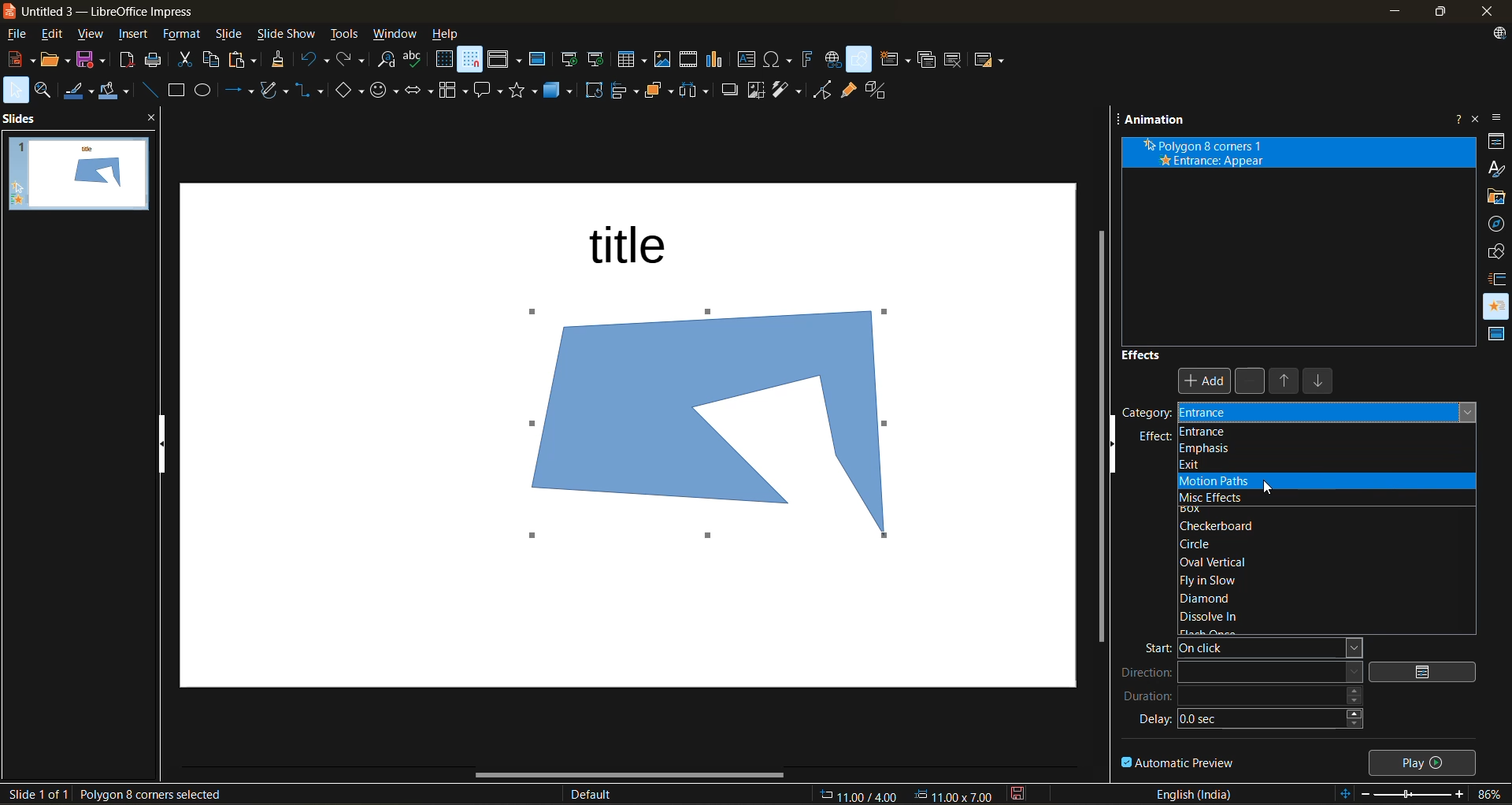 The width and height of the screenshot is (1512, 805). Describe the element at coordinates (697, 91) in the screenshot. I see `distribute` at that location.